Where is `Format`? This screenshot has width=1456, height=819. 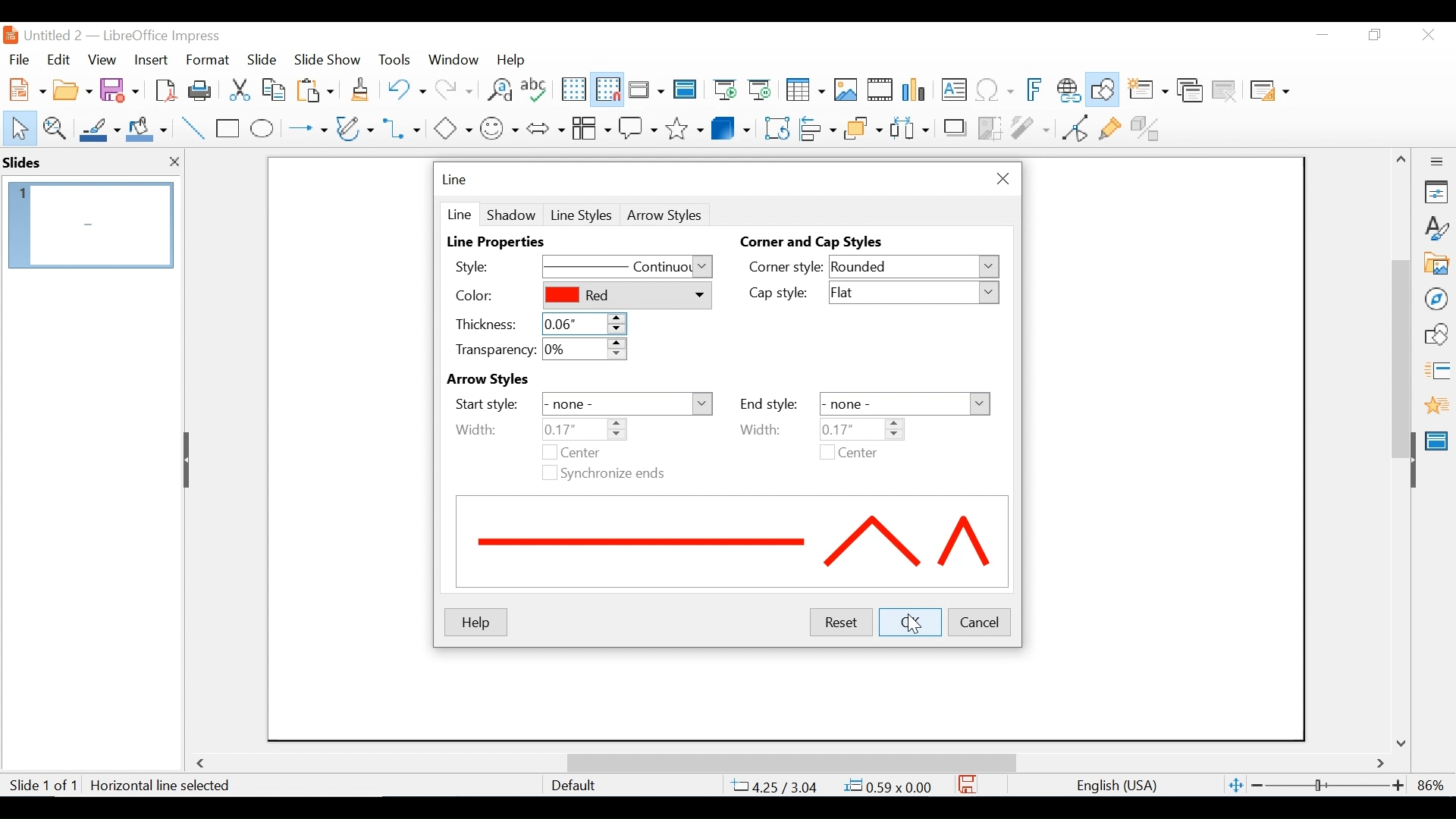 Format is located at coordinates (209, 60).